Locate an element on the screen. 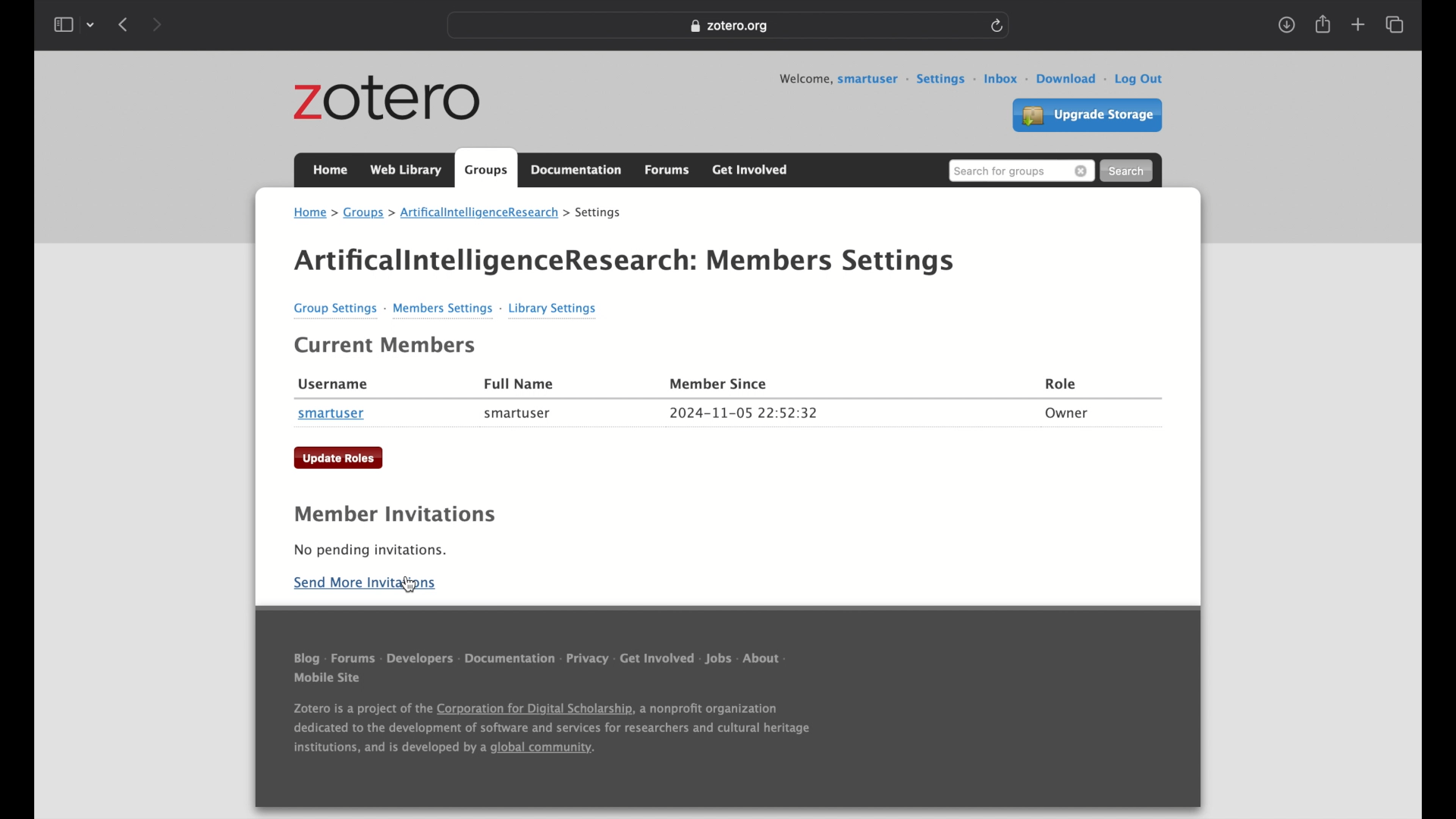  full name is located at coordinates (520, 383).